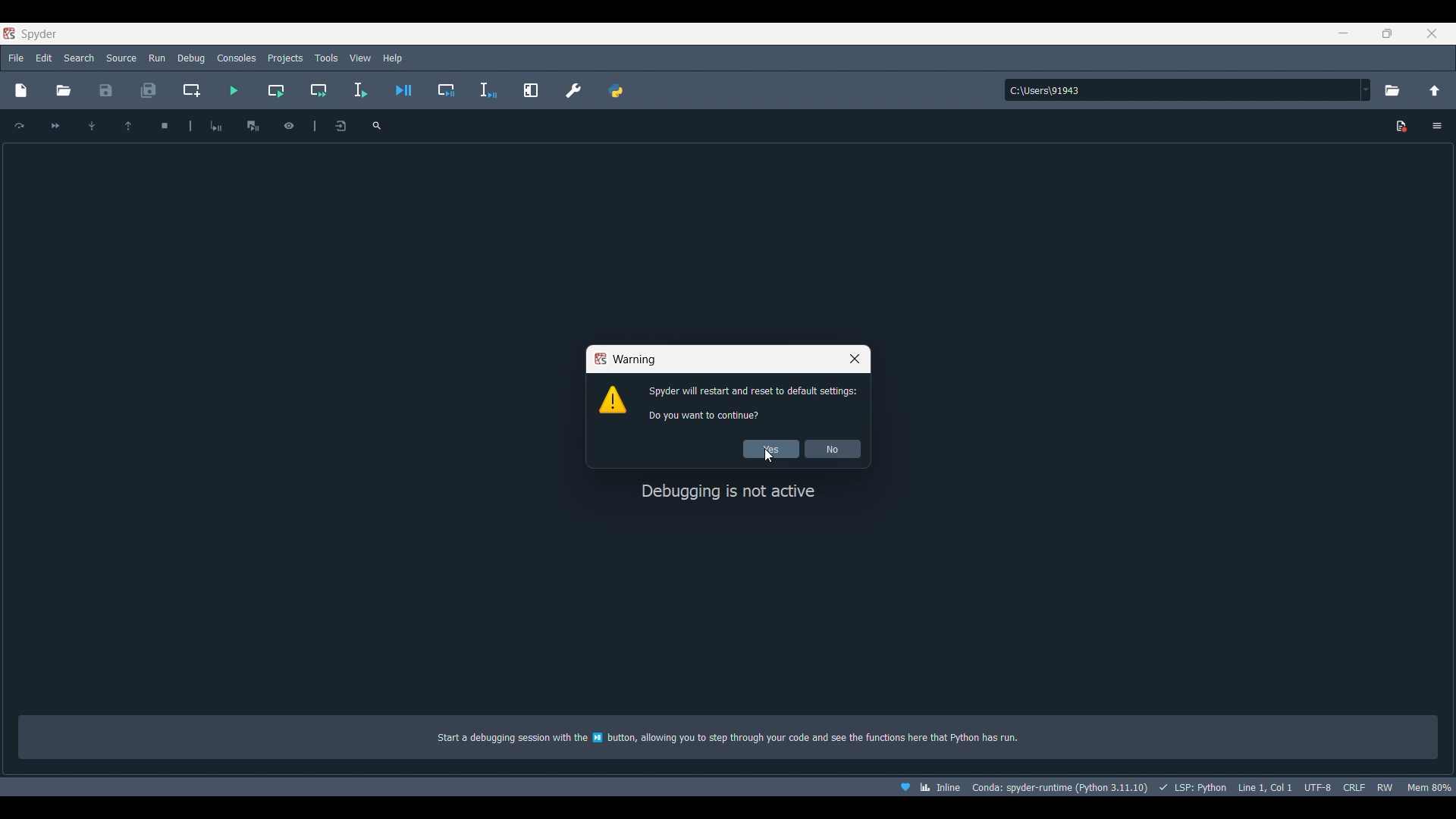 This screenshot has width=1456, height=819. What do you see at coordinates (318, 90) in the screenshot?
I see `Run current cell and go to the next one` at bounding box center [318, 90].